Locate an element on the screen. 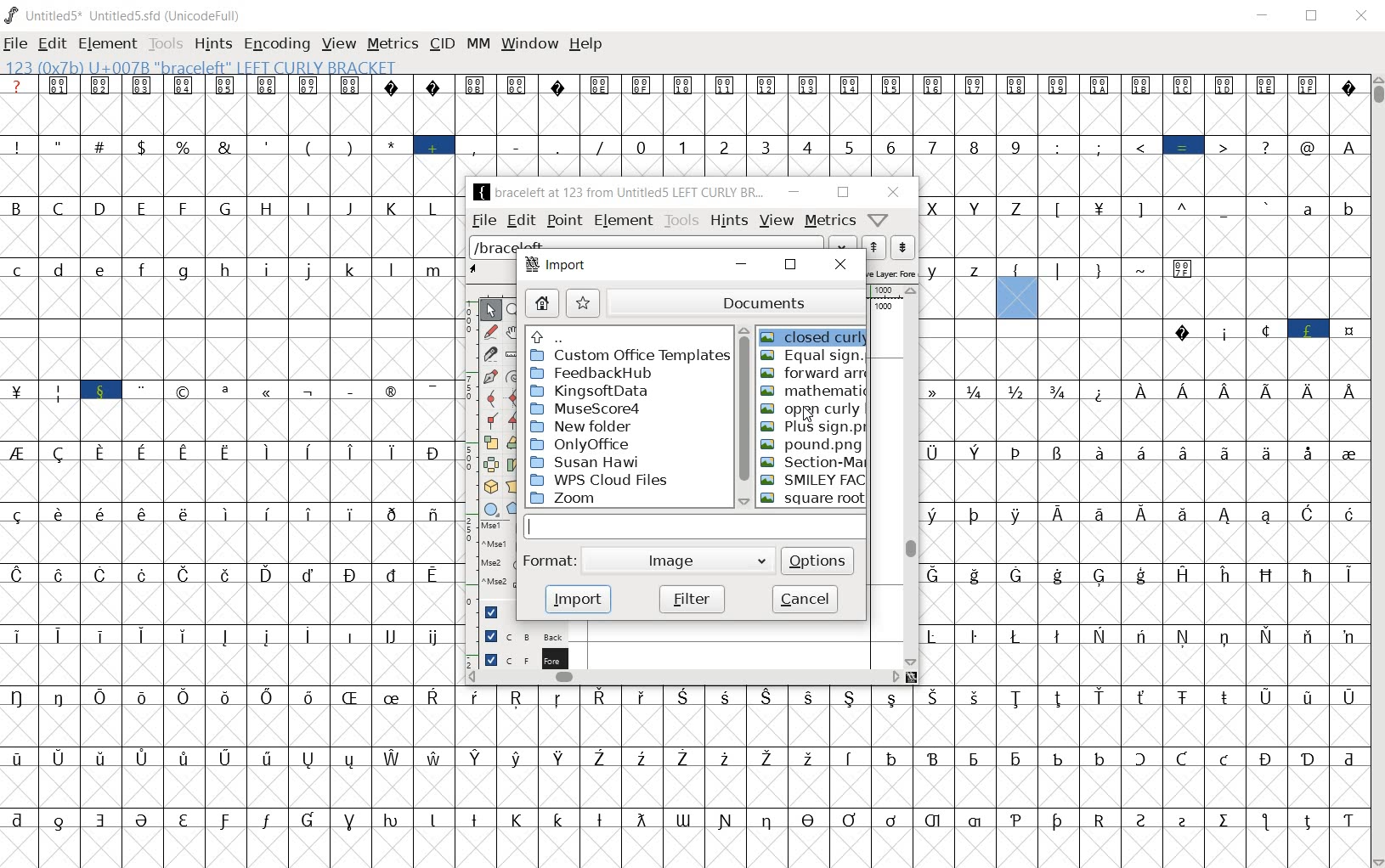 The height and width of the screenshot is (868, 1385). close is located at coordinates (840, 268).